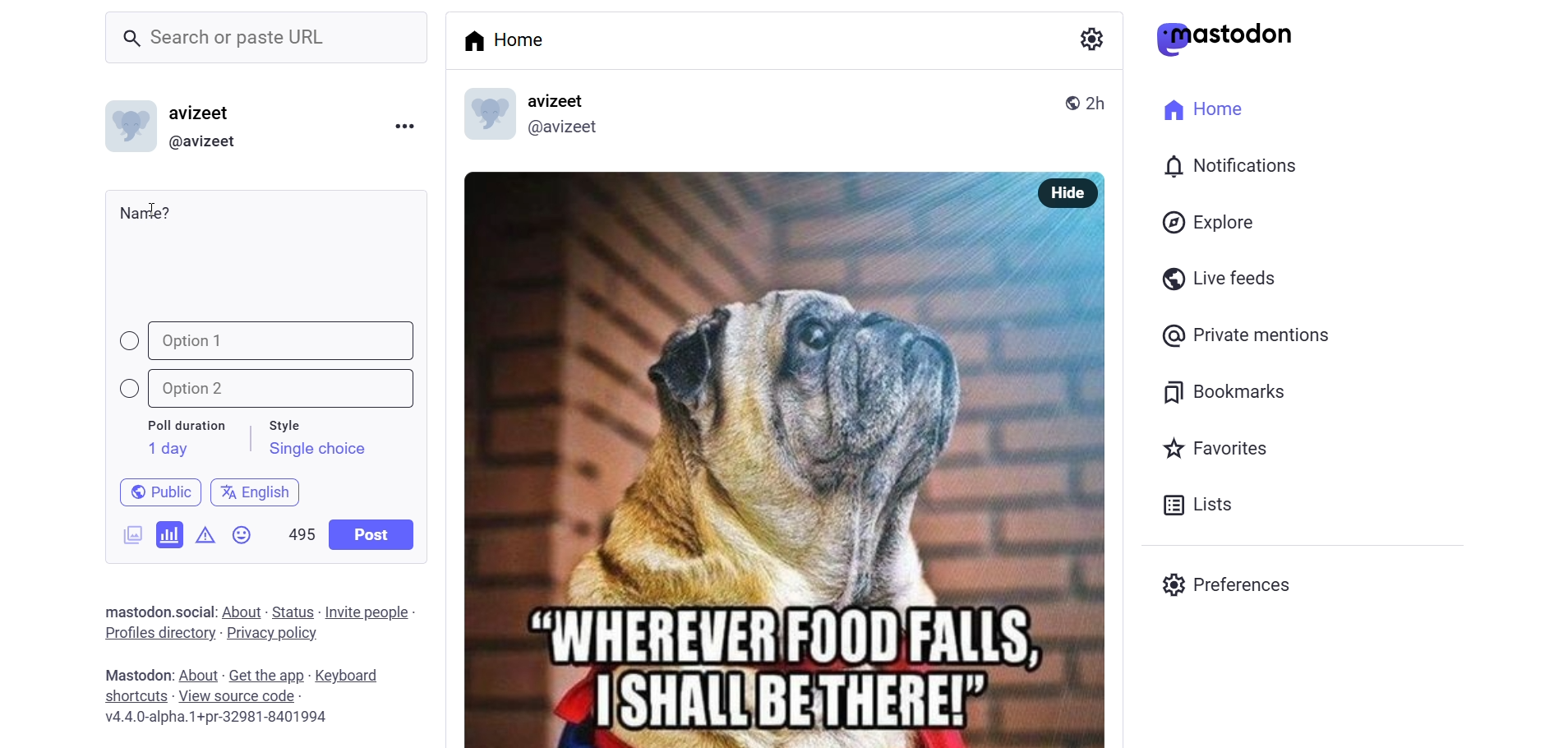 The image size is (1568, 748). I want to click on preferences, so click(1231, 582).